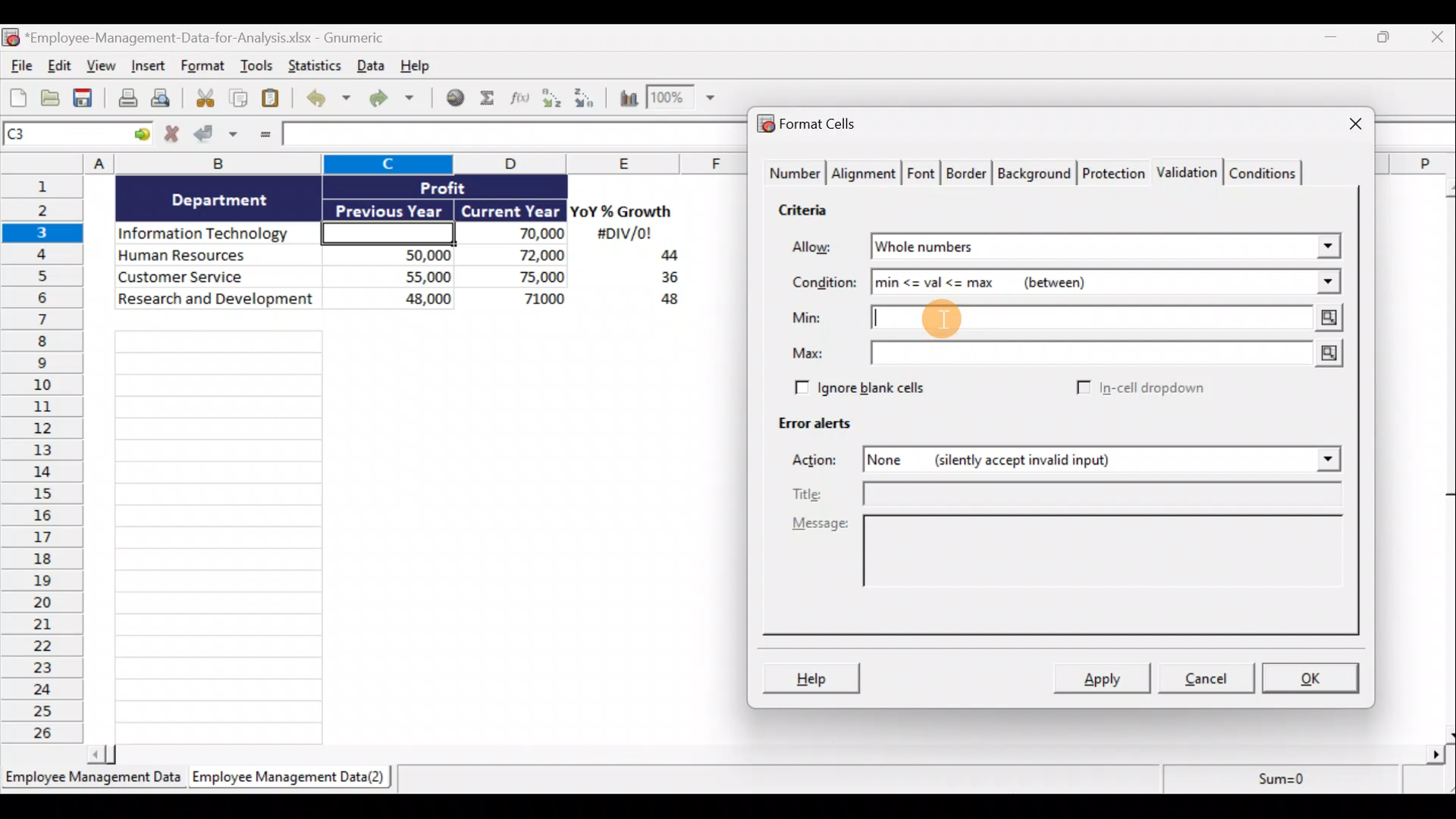  Describe the element at coordinates (457, 98) in the screenshot. I see `Insert hyperlink` at that location.